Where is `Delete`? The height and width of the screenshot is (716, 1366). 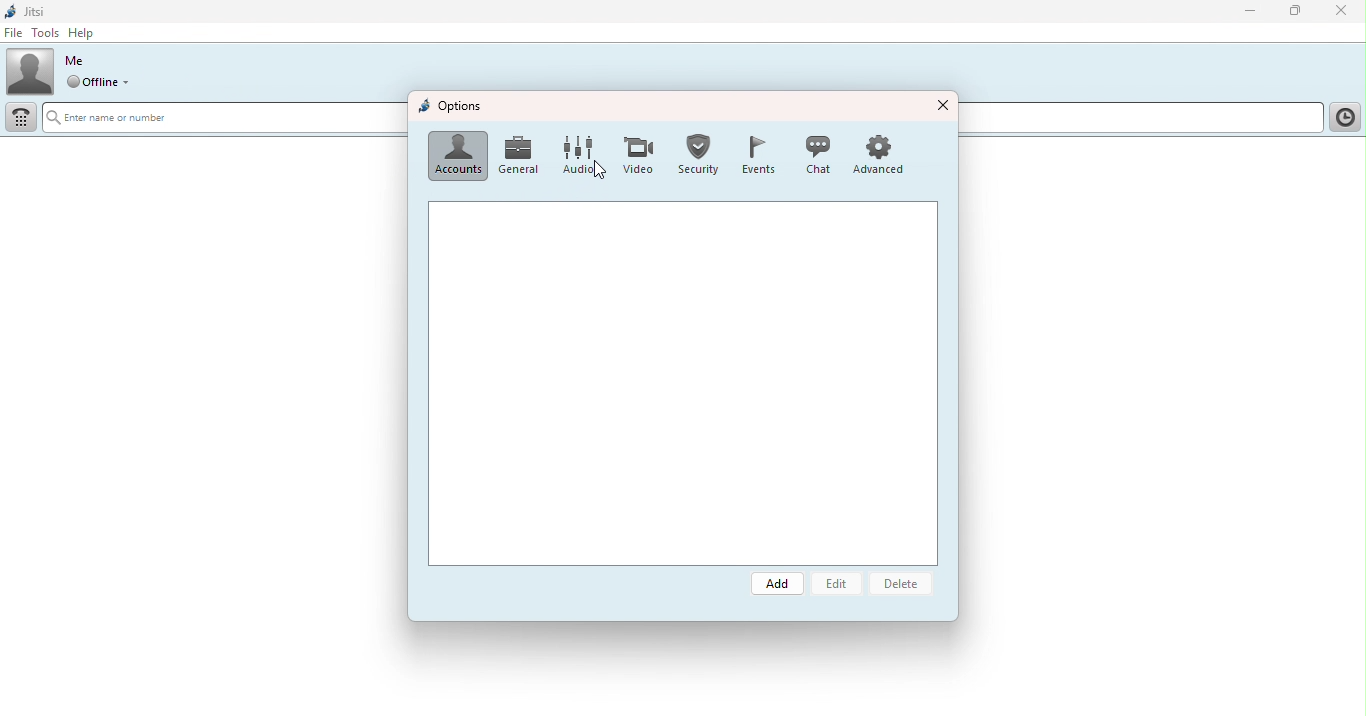
Delete is located at coordinates (906, 587).